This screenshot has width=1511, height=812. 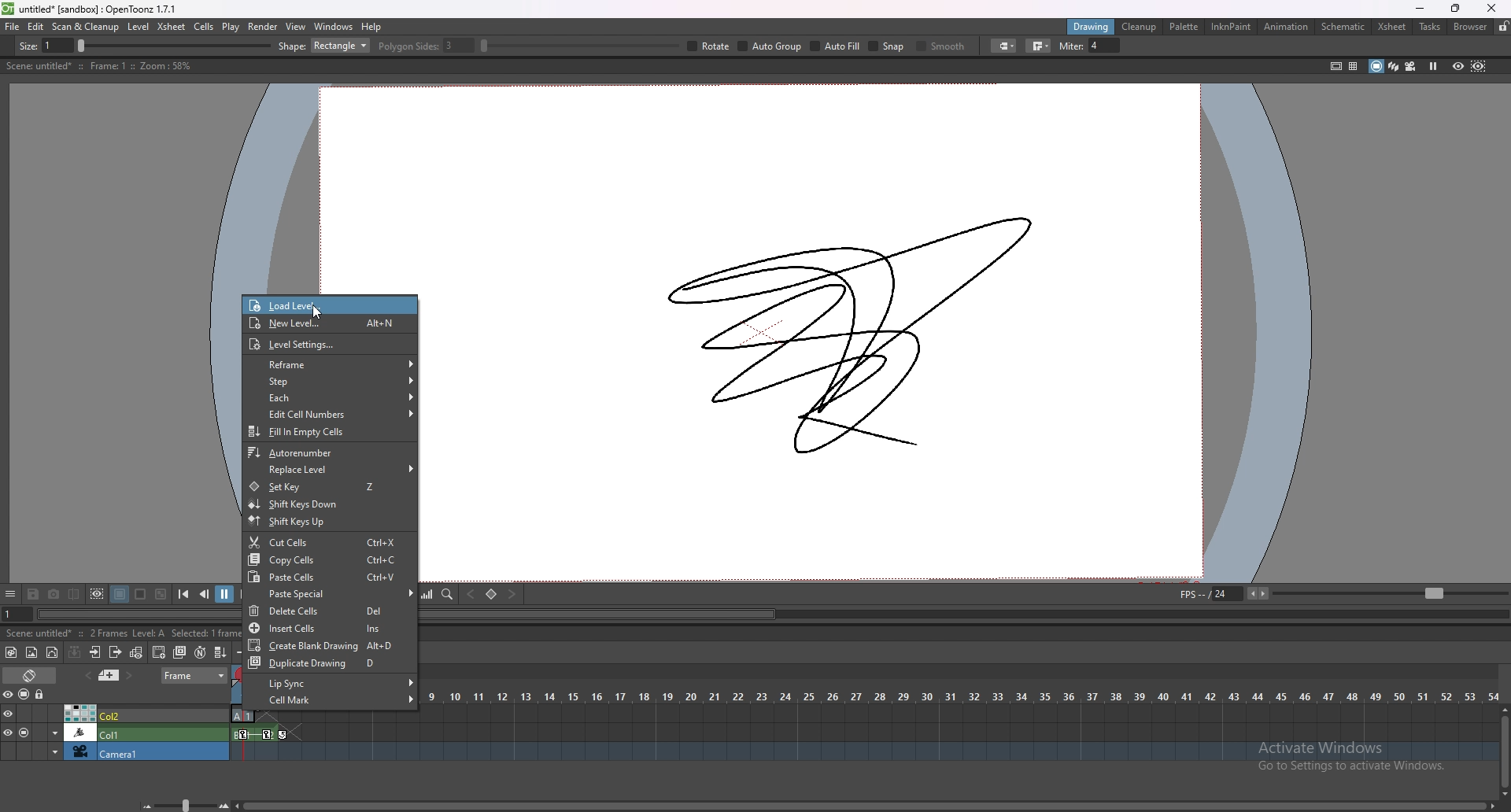 I want to click on file, so click(x=13, y=26).